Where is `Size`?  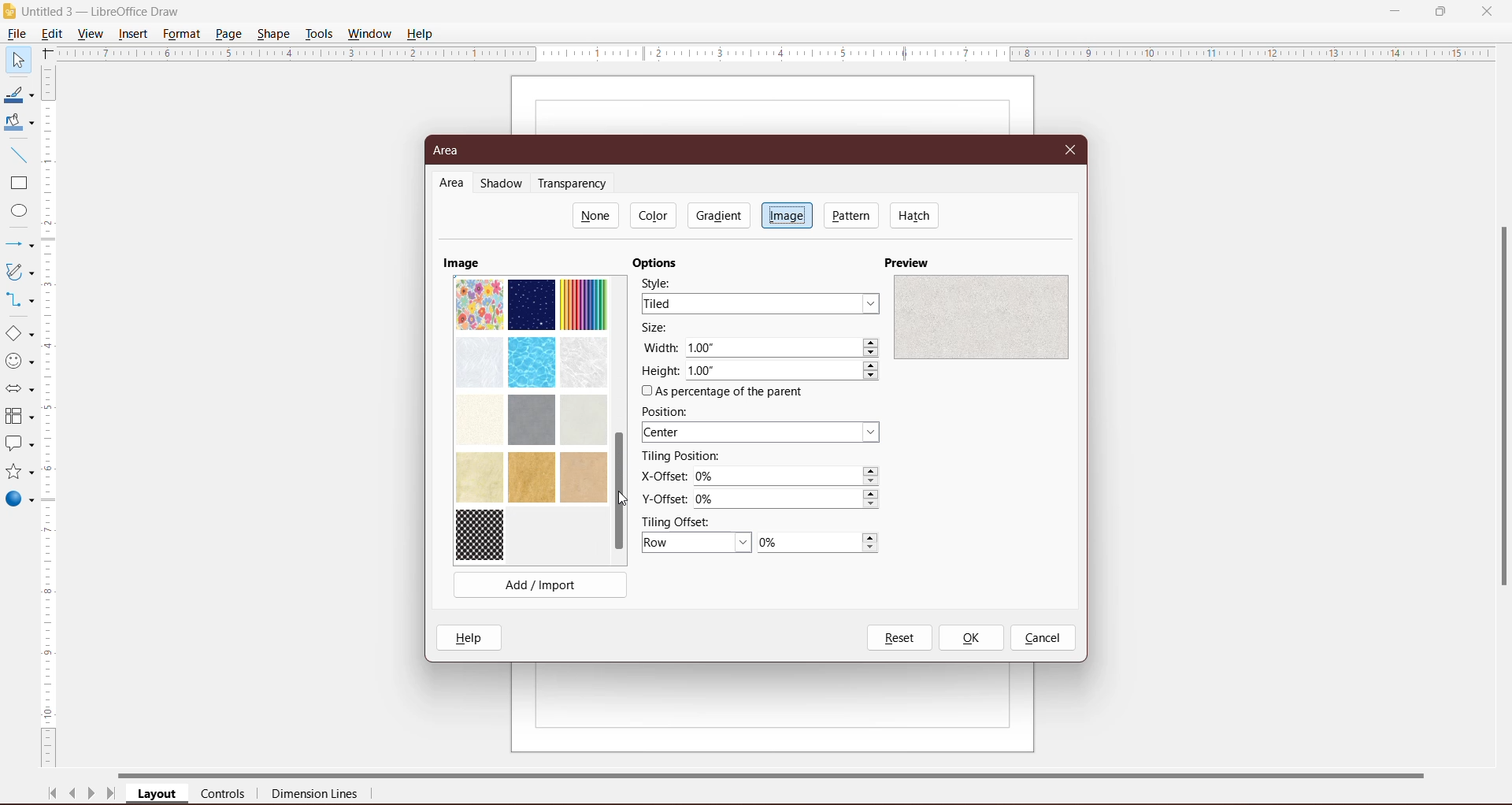 Size is located at coordinates (660, 328).